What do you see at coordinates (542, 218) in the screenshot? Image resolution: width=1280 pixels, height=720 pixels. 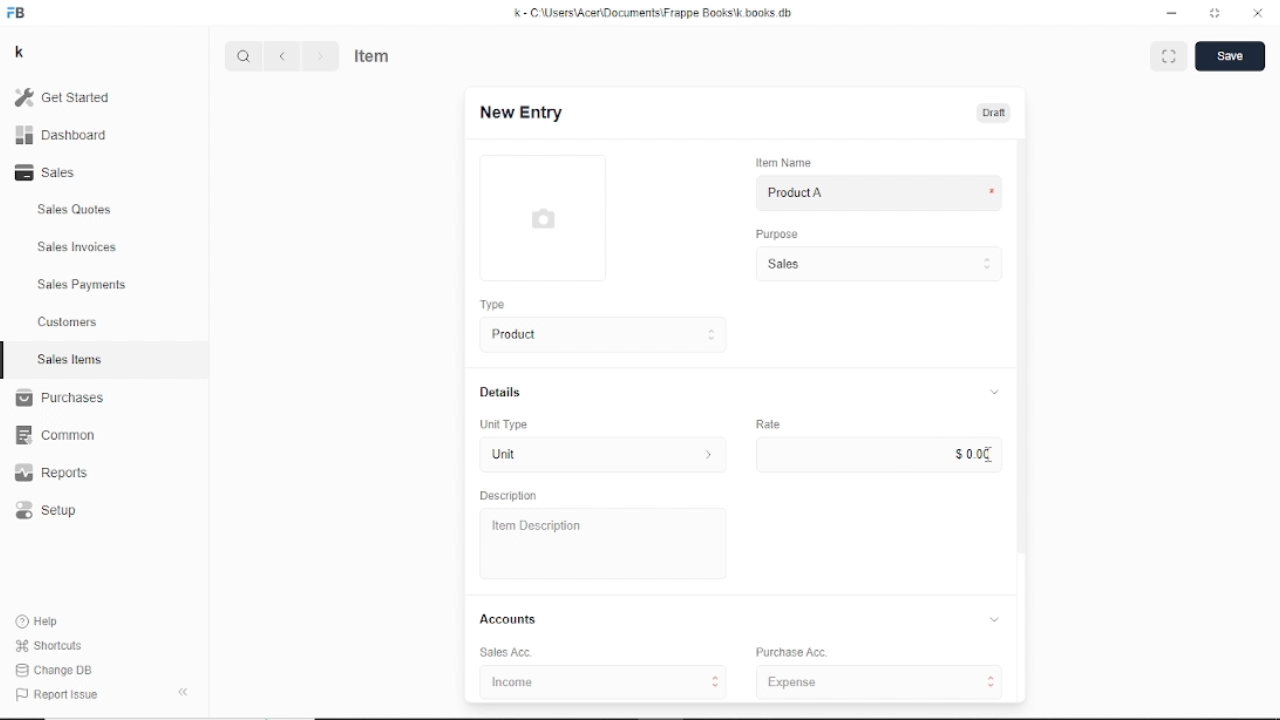 I see `Picture` at bounding box center [542, 218].